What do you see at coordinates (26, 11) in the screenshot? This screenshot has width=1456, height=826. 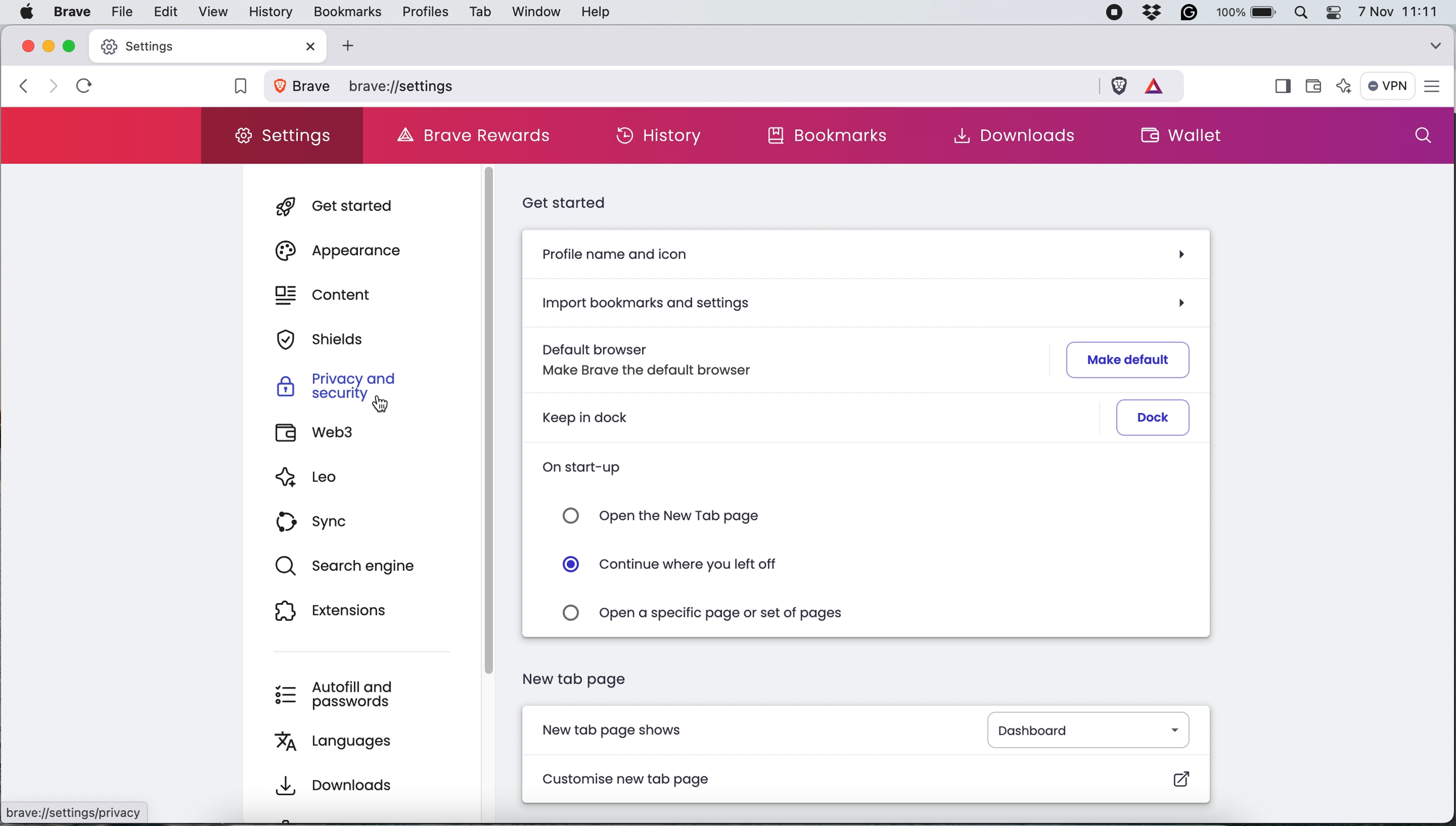 I see `system logo` at bounding box center [26, 11].